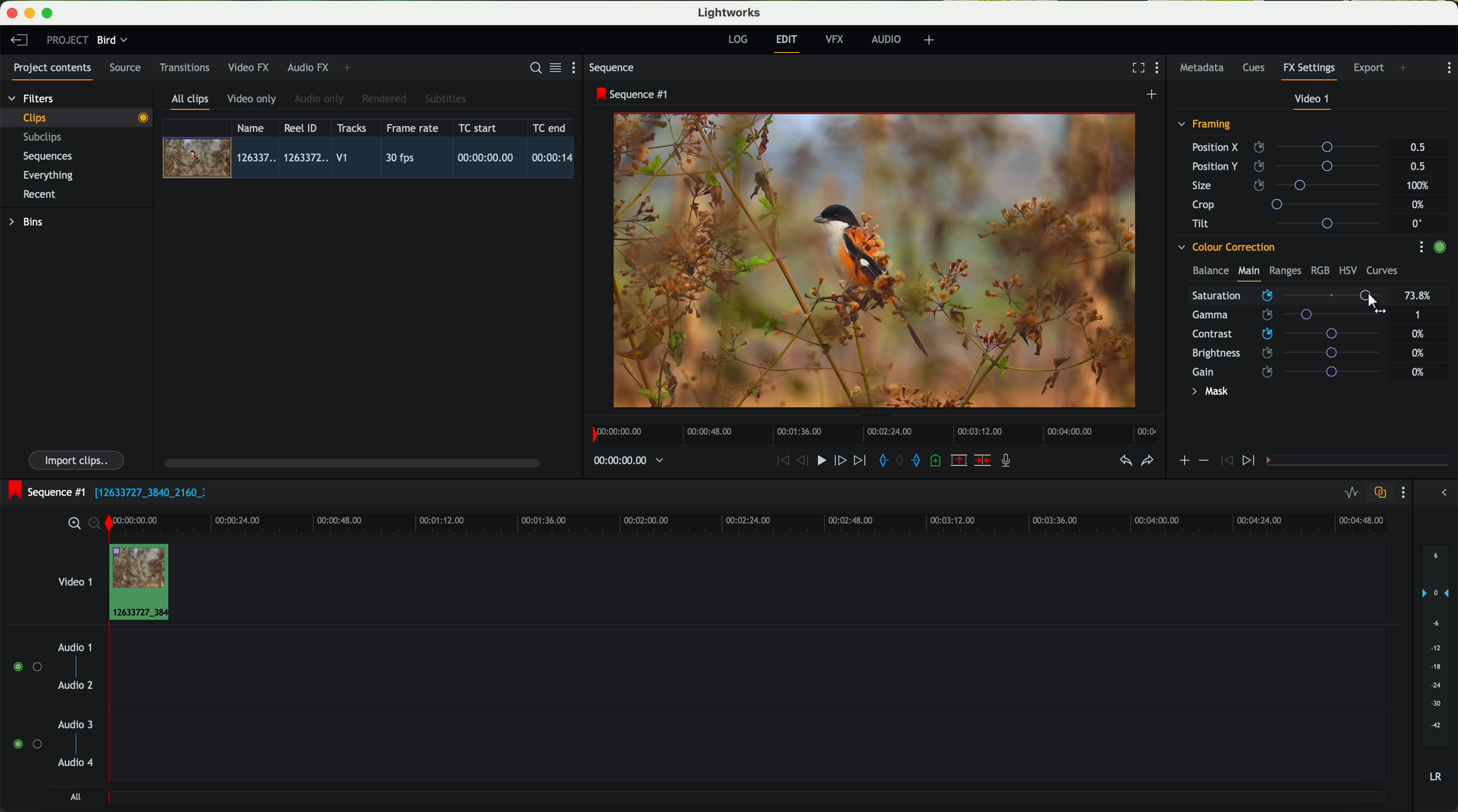 This screenshot has height=812, width=1458. I want to click on audio 3, so click(70, 724).